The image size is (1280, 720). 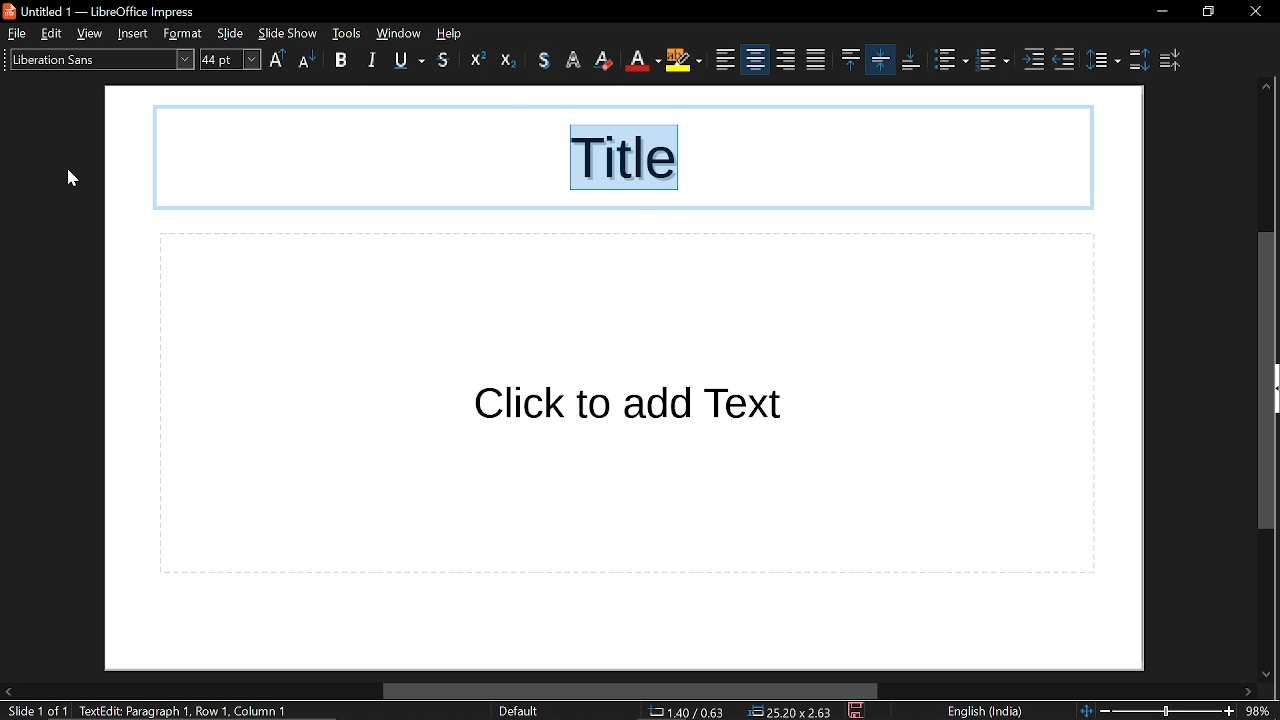 What do you see at coordinates (546, 60) in the screenshot?
I see `outline` at bounding box center [546, 60].